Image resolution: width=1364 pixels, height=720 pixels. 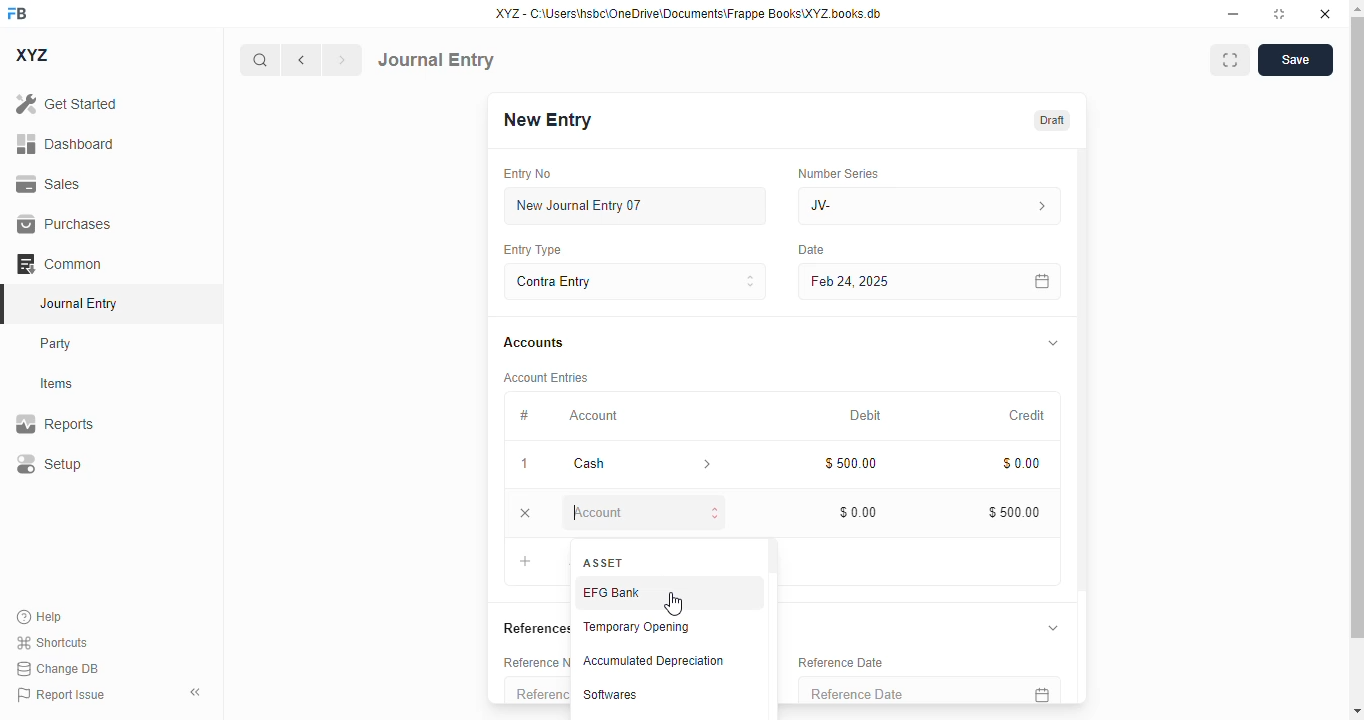 What do you see at coordinates (635, 281) in the screenshot?
I see `contra entry ` at bounding box center [635, 281].